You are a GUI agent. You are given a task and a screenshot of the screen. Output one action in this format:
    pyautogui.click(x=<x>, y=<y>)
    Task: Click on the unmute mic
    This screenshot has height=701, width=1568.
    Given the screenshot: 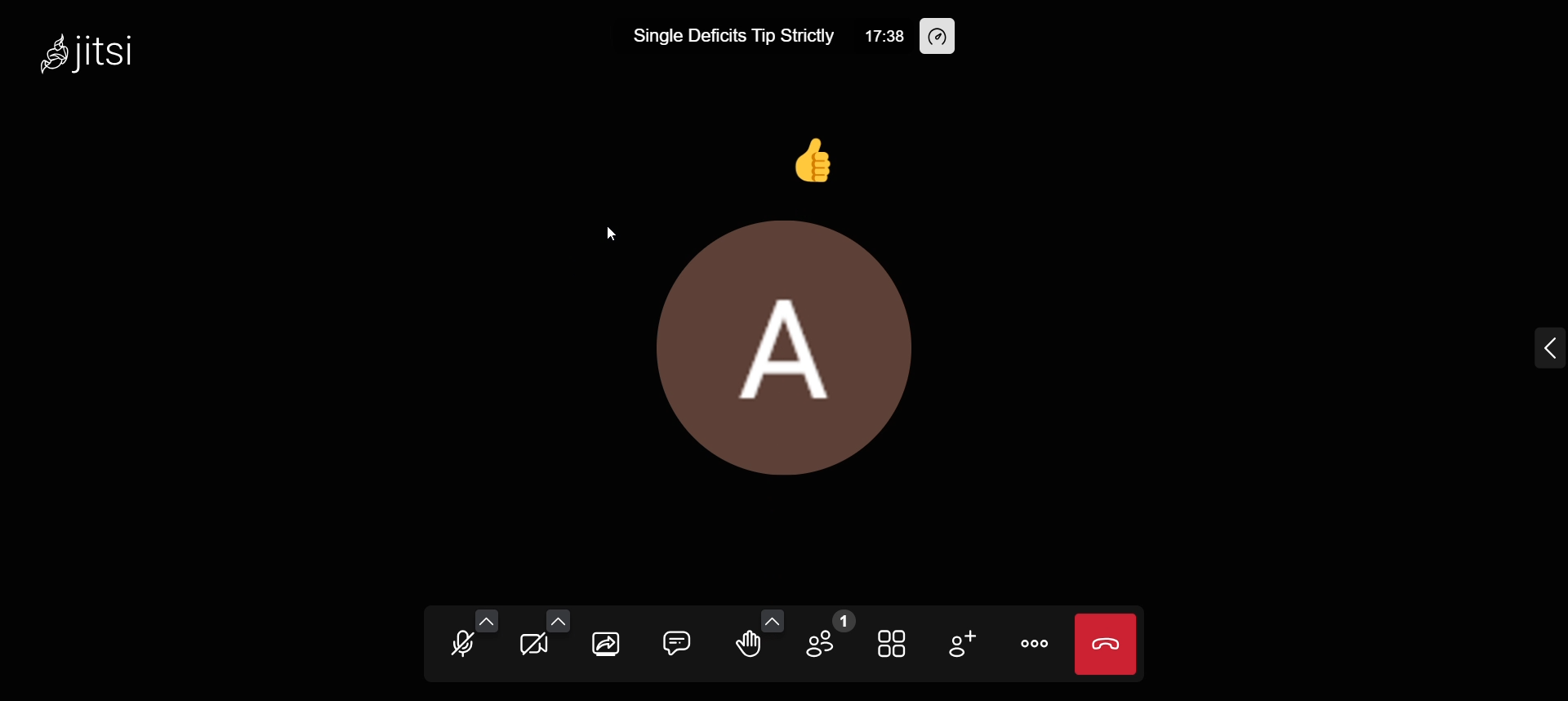 What is the action you would take?
    pyautogui.click(x=459, y=644)
    